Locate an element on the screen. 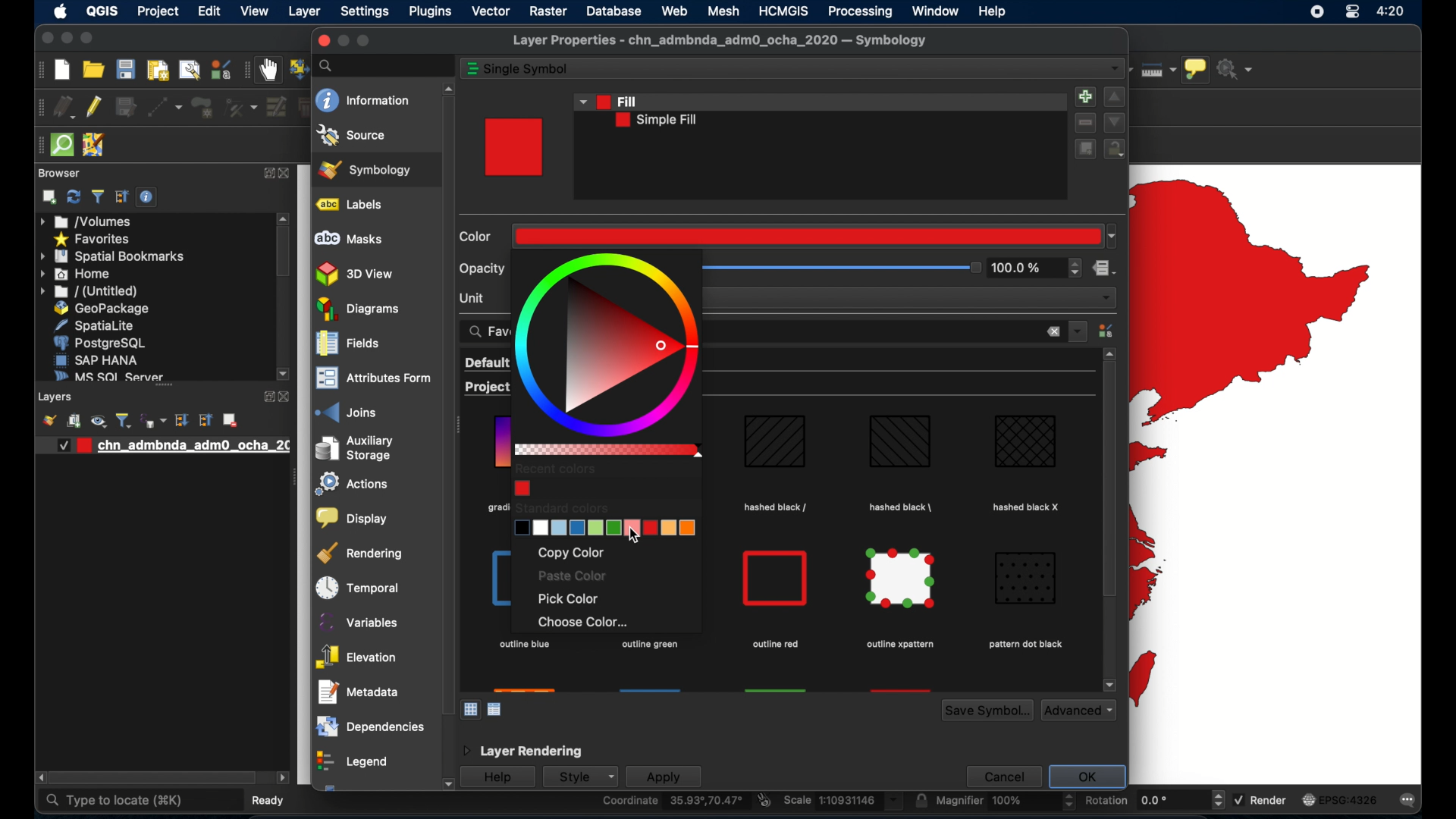  metadata is located at coordinates (359, 692).